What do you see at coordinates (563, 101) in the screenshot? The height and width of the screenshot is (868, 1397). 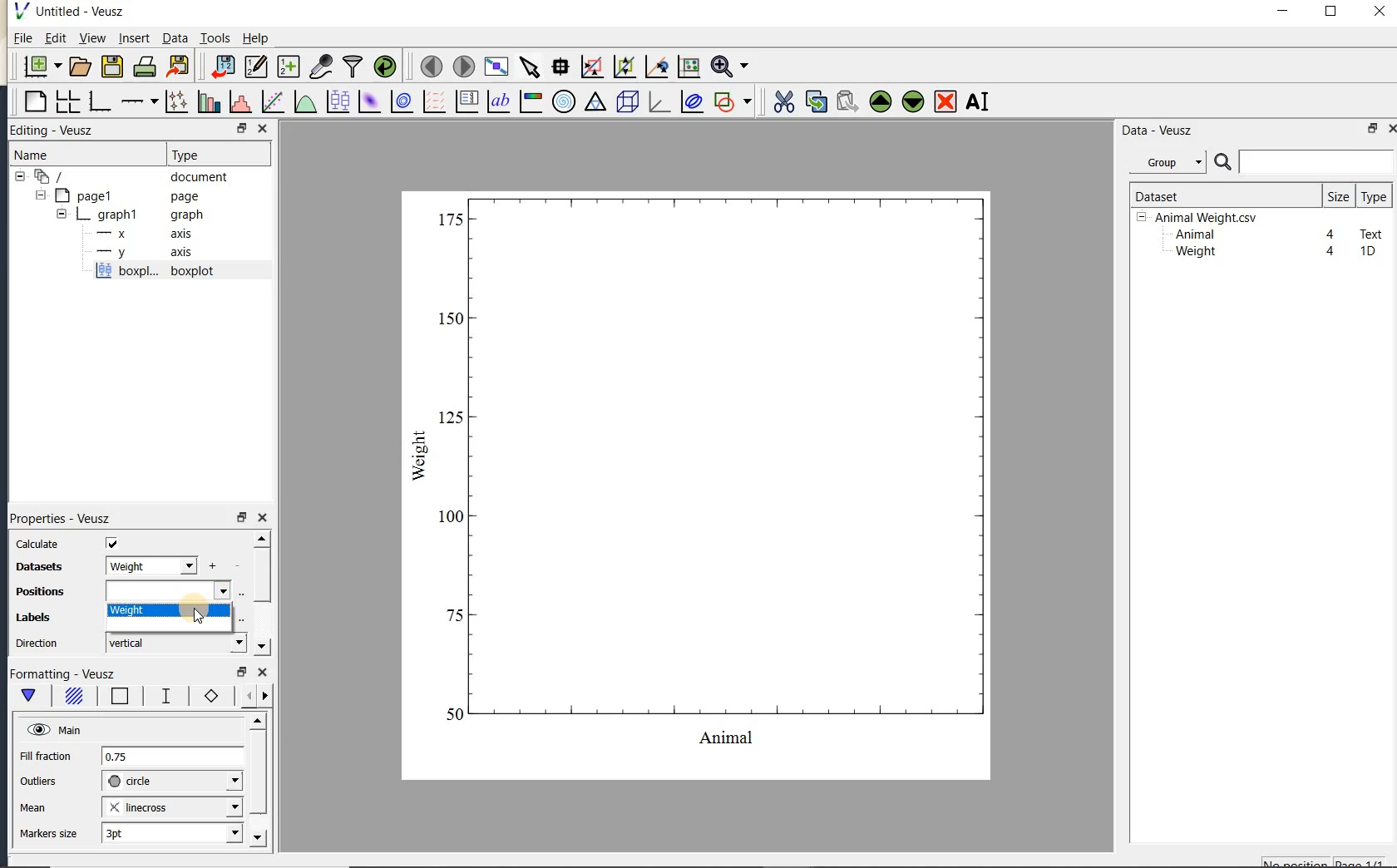 I see `polar graph` at bounding box center [563, 101].